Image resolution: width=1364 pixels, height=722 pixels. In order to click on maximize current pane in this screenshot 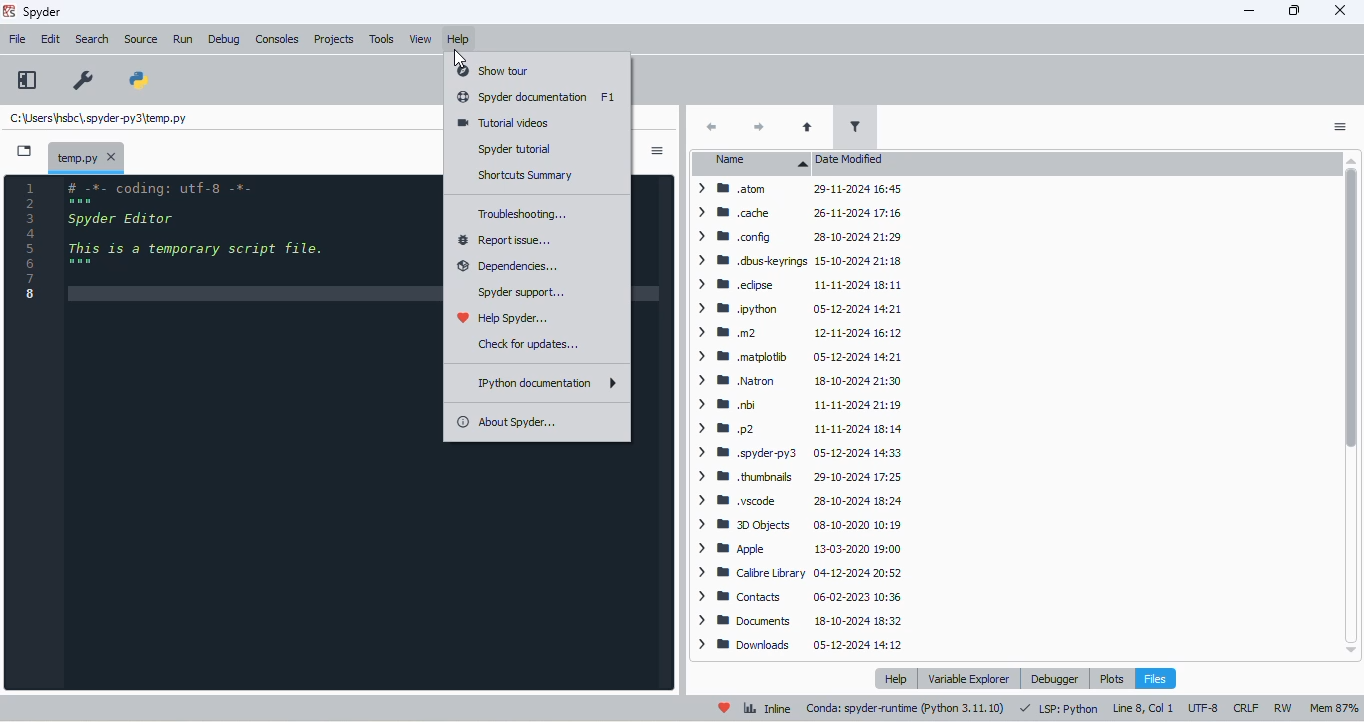, I will do `click(27, 79)`.